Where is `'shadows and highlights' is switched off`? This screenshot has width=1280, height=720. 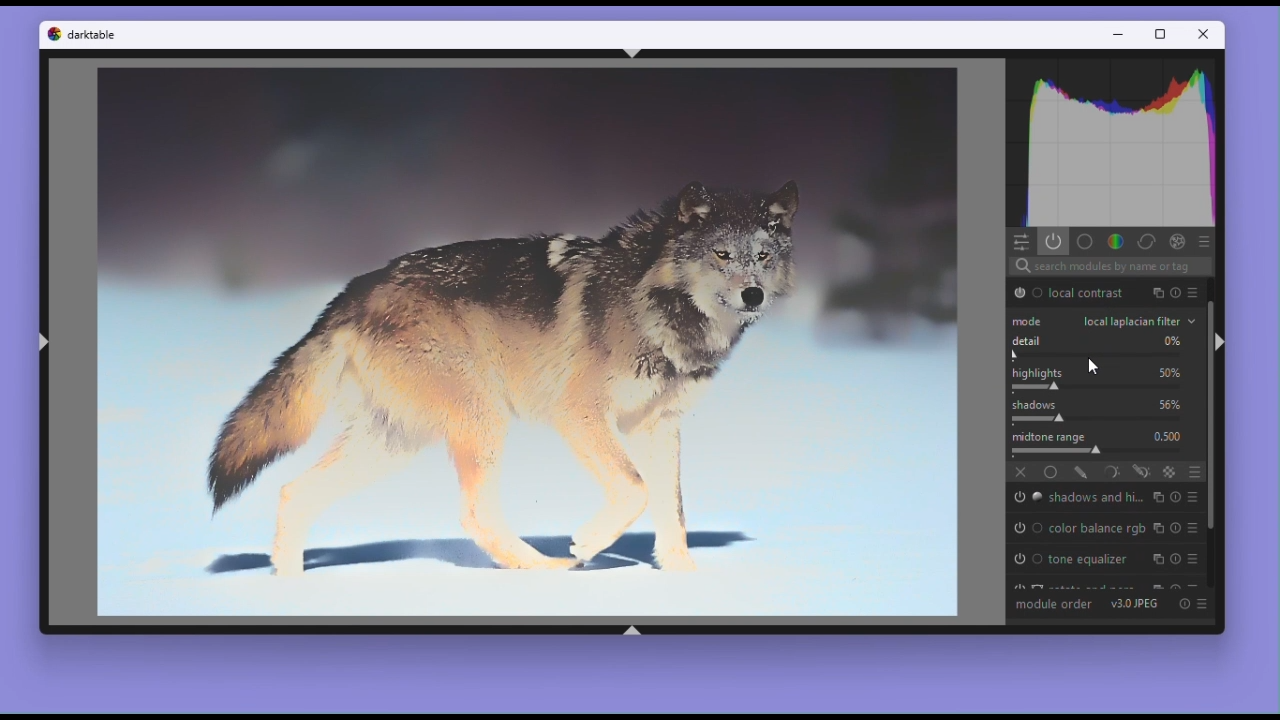
'shadows and highlights' is switched off is located at coordinates (1024, 498).